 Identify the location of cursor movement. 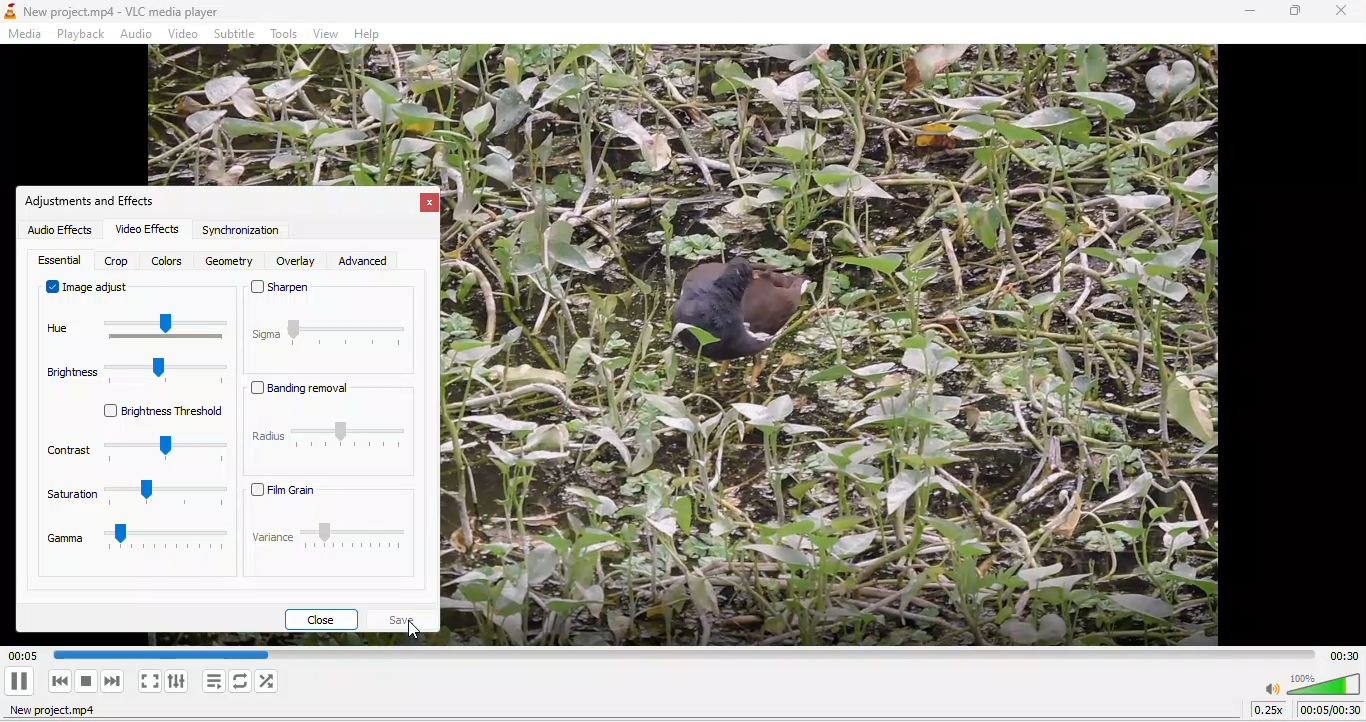
(422, 631).